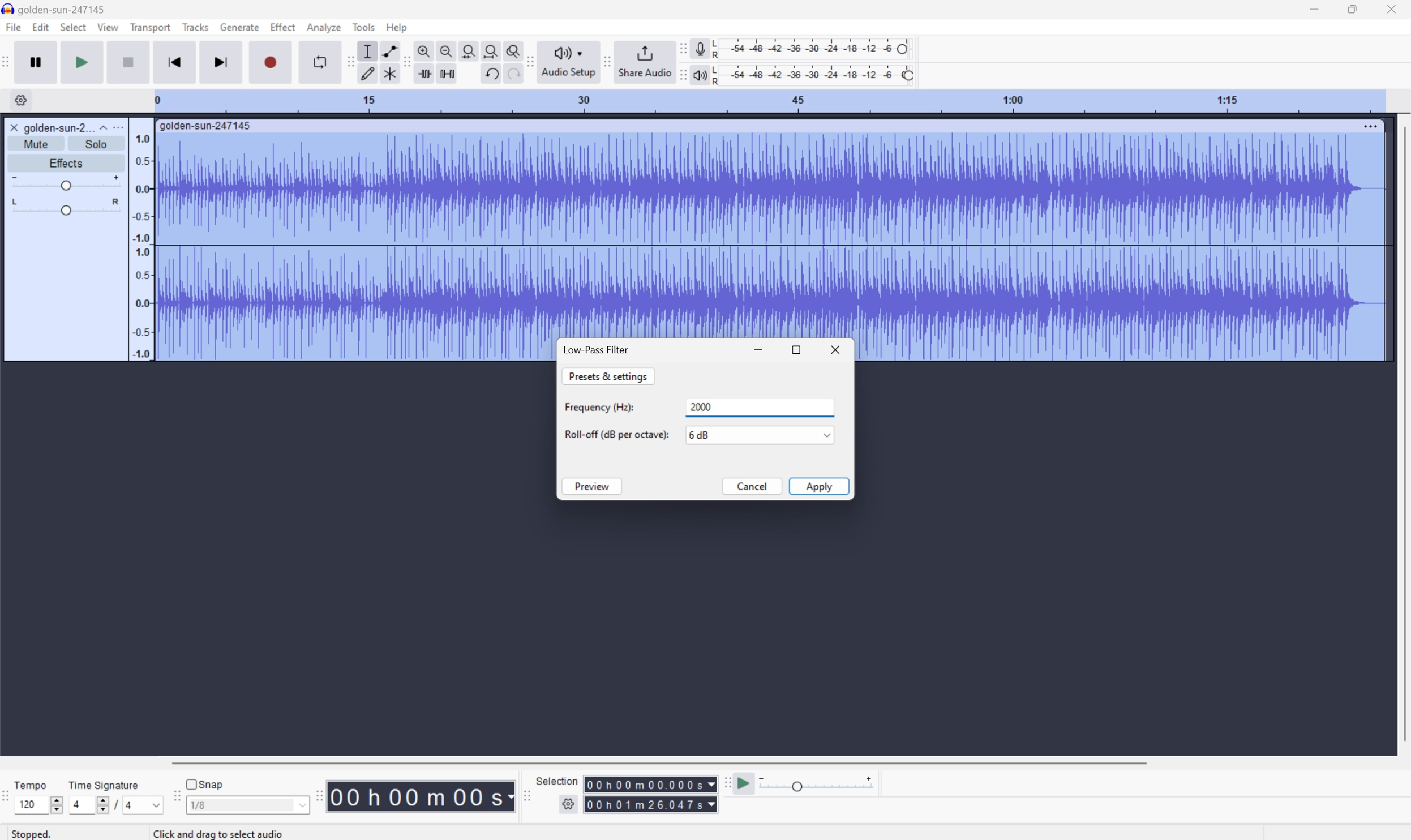 The width and height of the screenshot is (1411, 840). I want to click on Help, so click(398, 28).